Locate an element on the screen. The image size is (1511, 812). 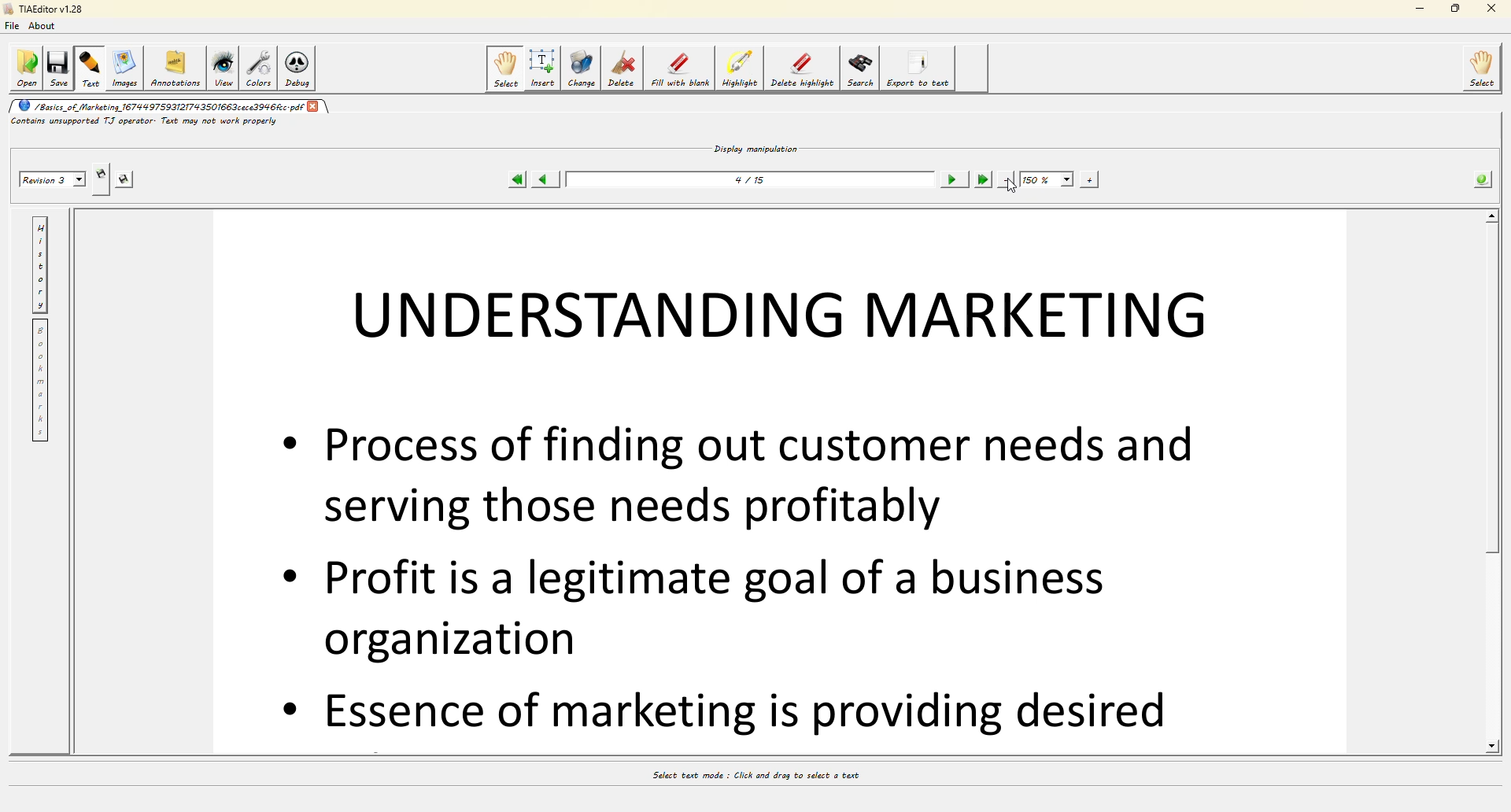
last page is located at coordinates (985, 179).